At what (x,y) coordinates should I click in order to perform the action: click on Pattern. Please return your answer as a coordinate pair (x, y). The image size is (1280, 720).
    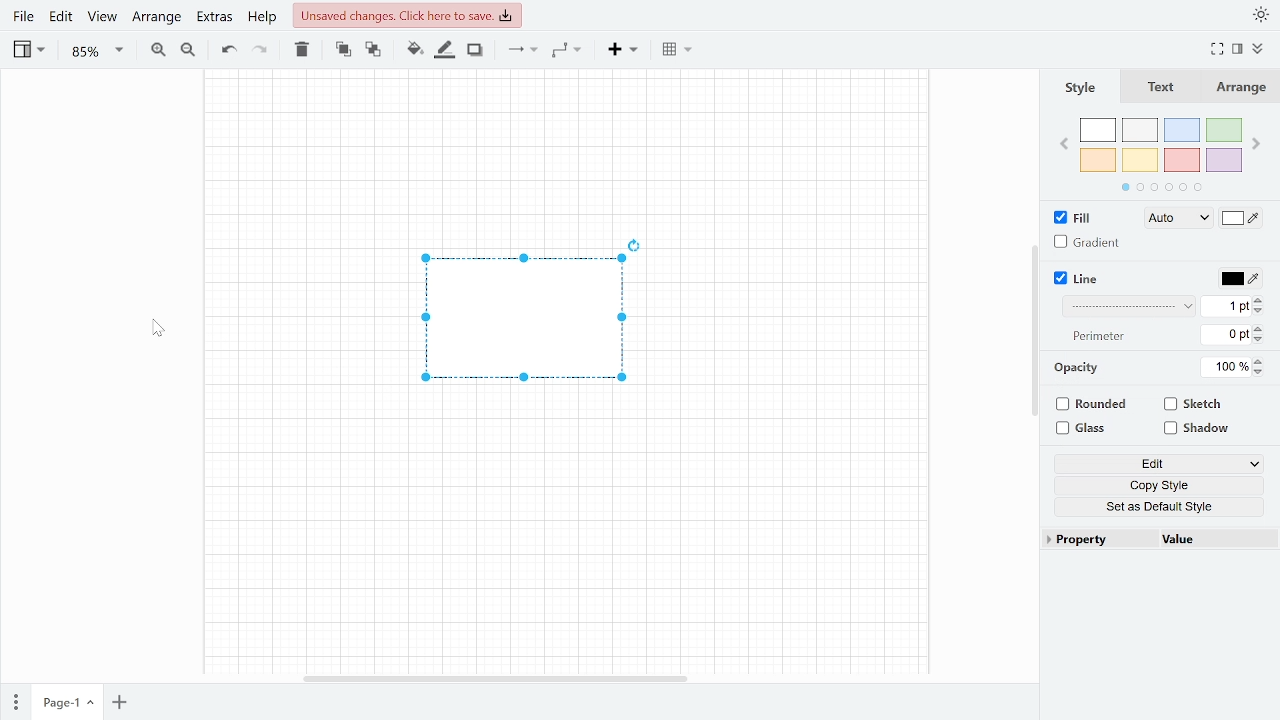
    Looking at the image, I should click on (1124, 308).